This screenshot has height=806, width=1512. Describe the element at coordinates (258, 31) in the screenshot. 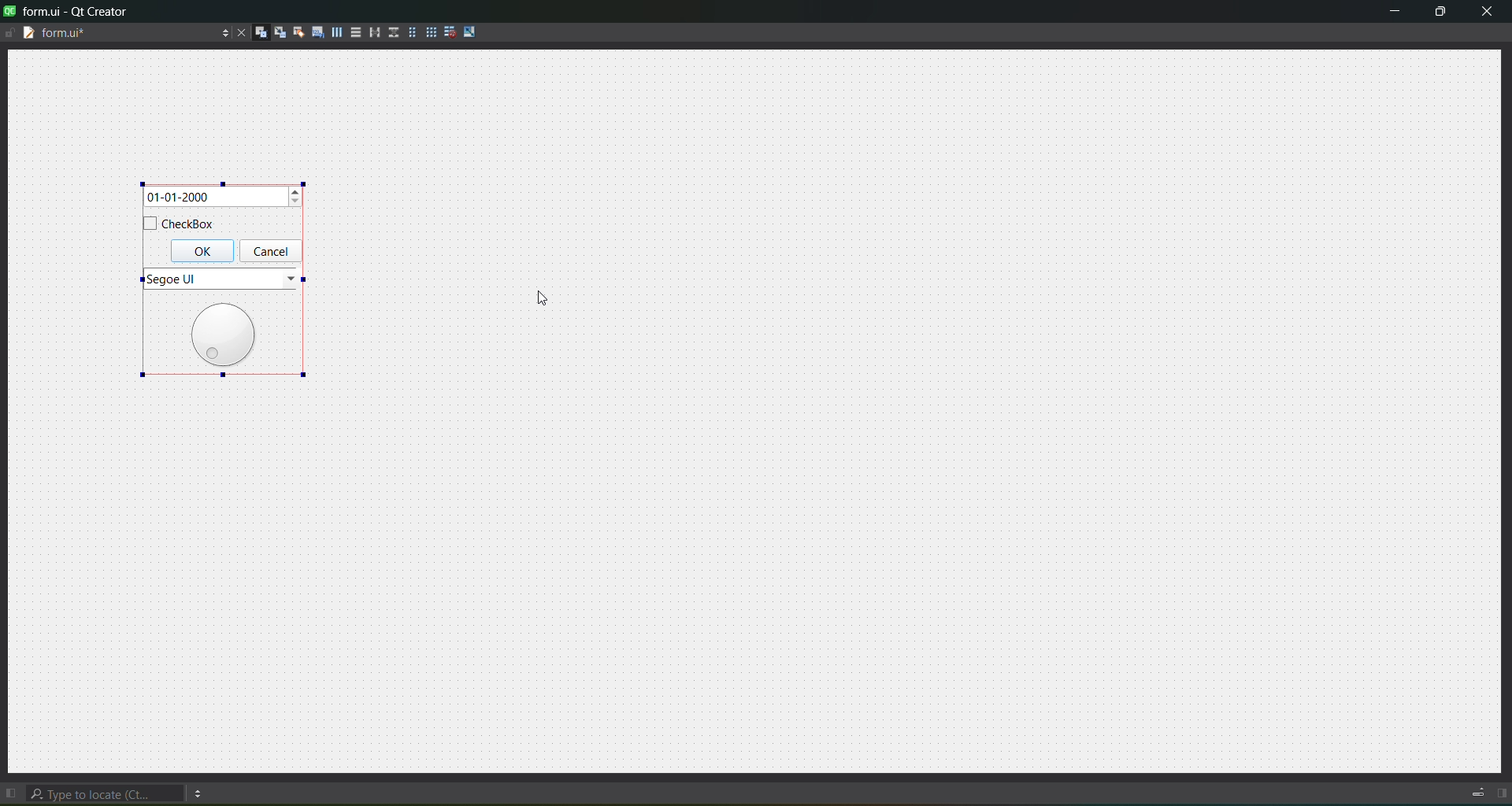

I see `edit widgets` at that location.